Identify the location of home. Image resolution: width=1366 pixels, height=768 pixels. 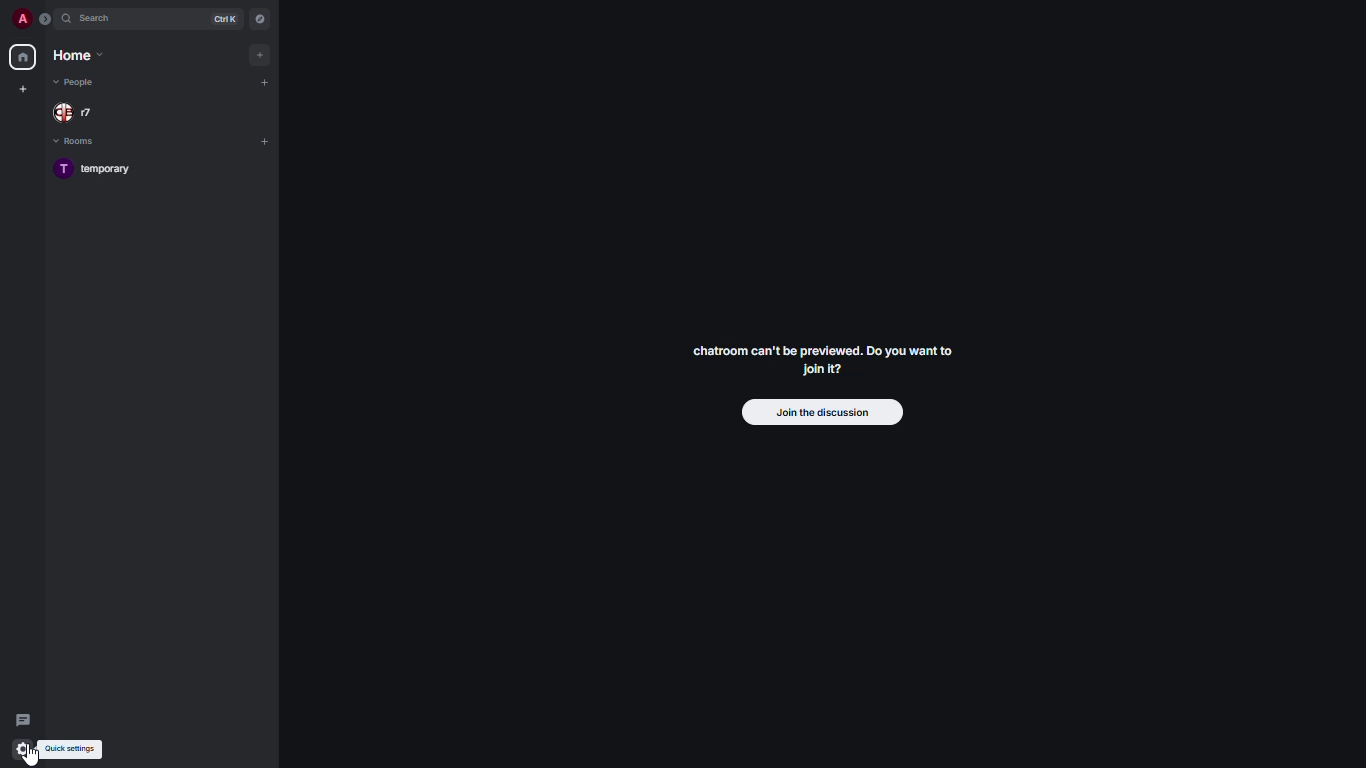
(24, 58).